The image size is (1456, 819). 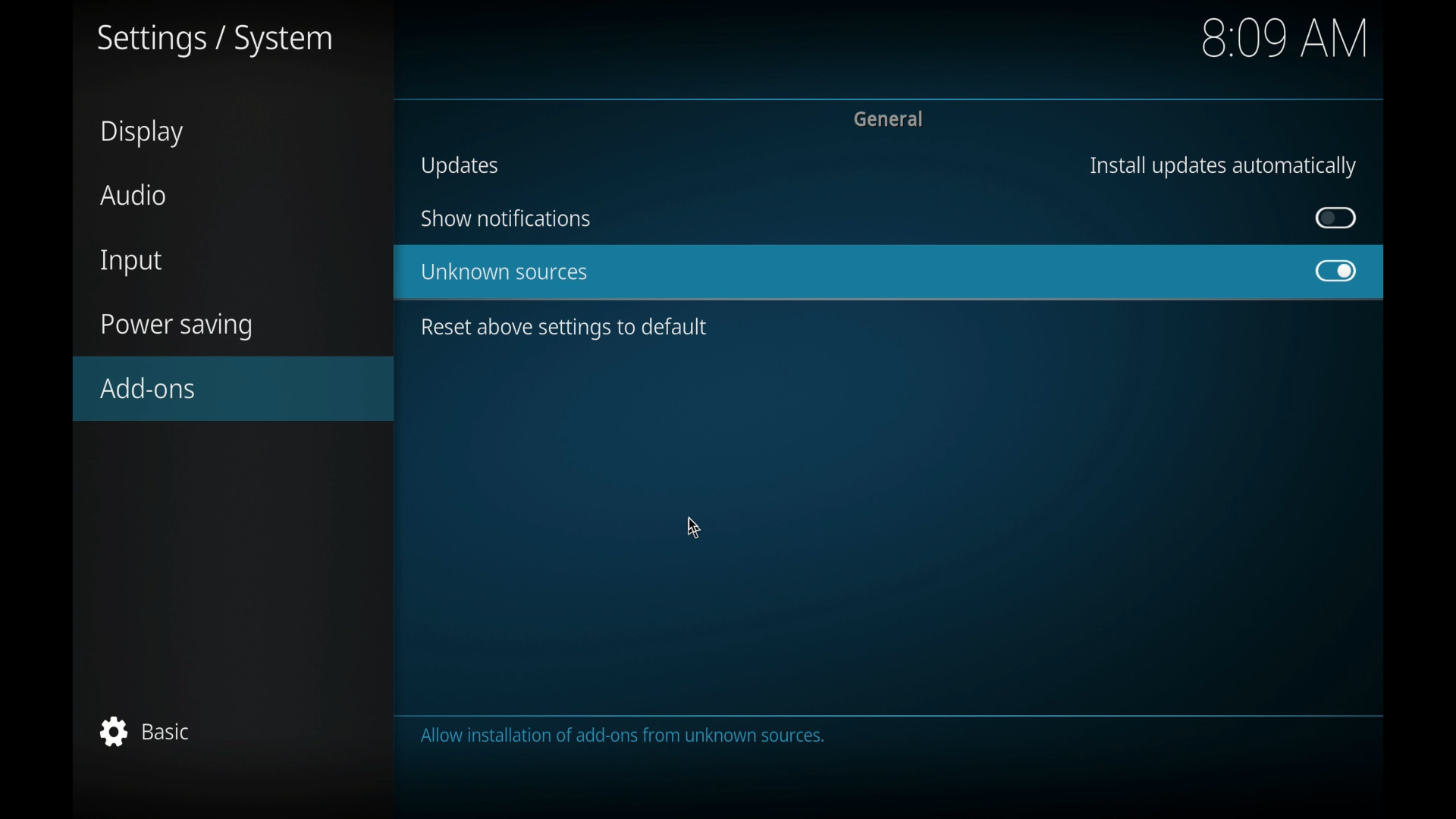 What do you see at coordinates (460, 166) in the screenshot?
I see `updates` at bounding box center [460, 166].